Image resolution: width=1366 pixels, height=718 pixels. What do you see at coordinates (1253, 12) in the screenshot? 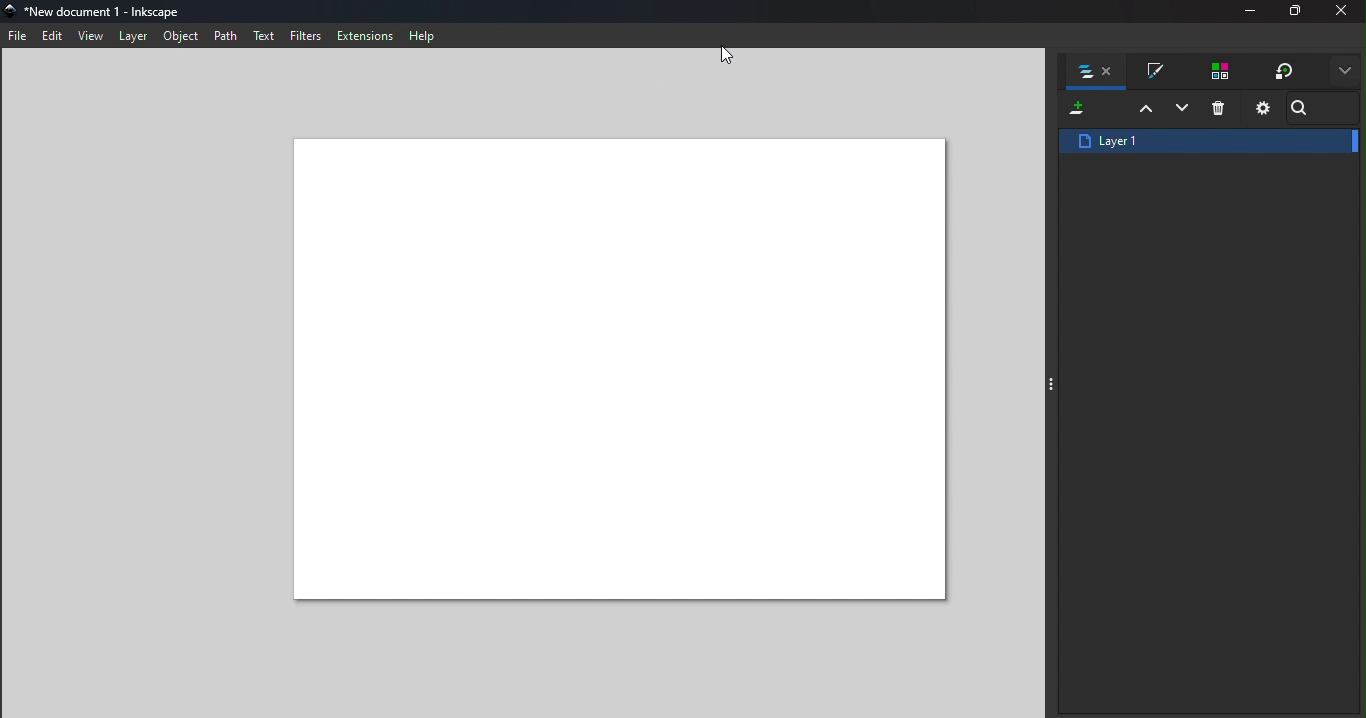
I see `Minimize` at bounding box center [1253, 12].